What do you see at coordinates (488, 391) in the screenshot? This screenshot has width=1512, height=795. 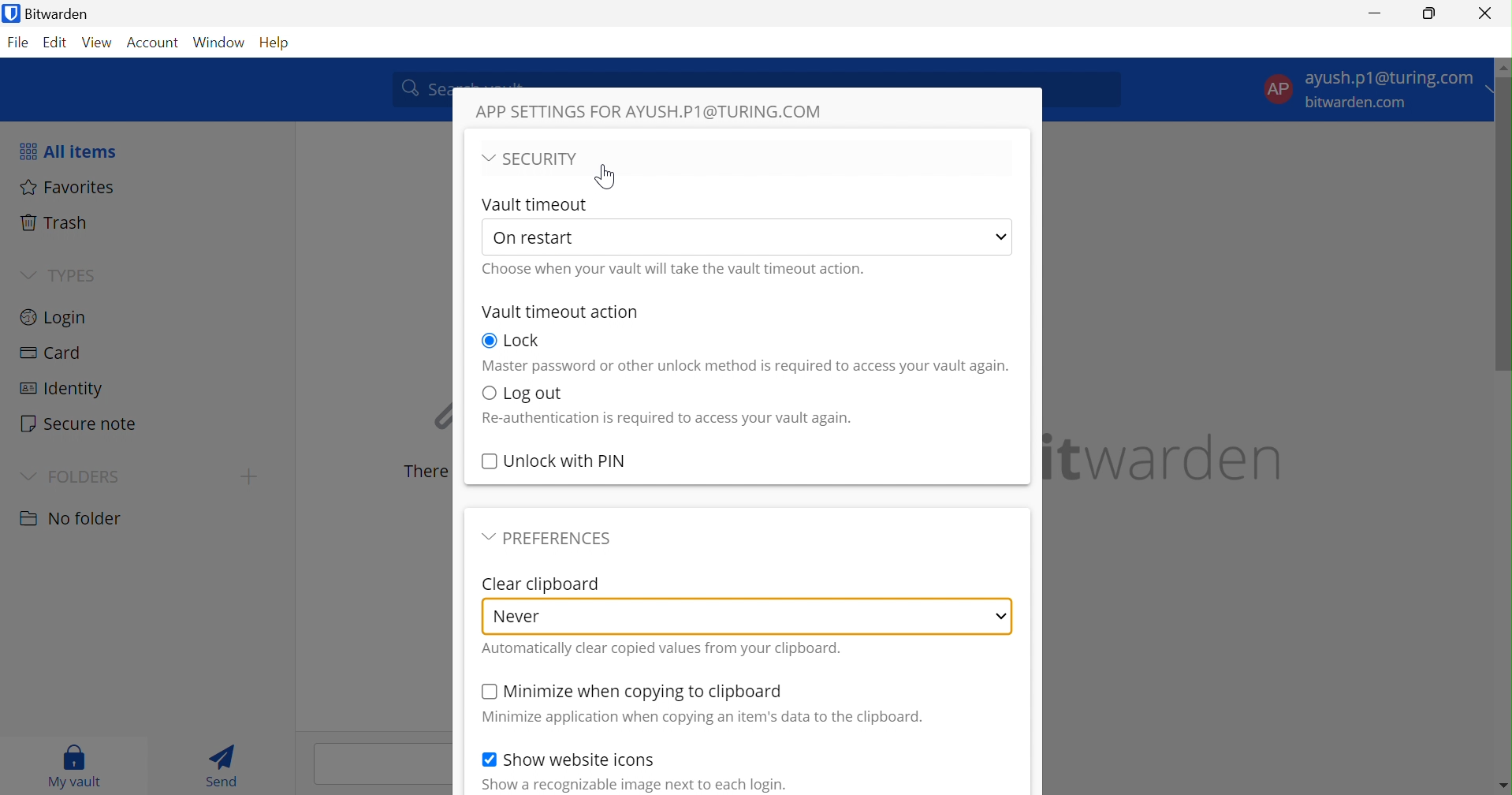 I see `Checkbox` at bounding box center [488, 391].